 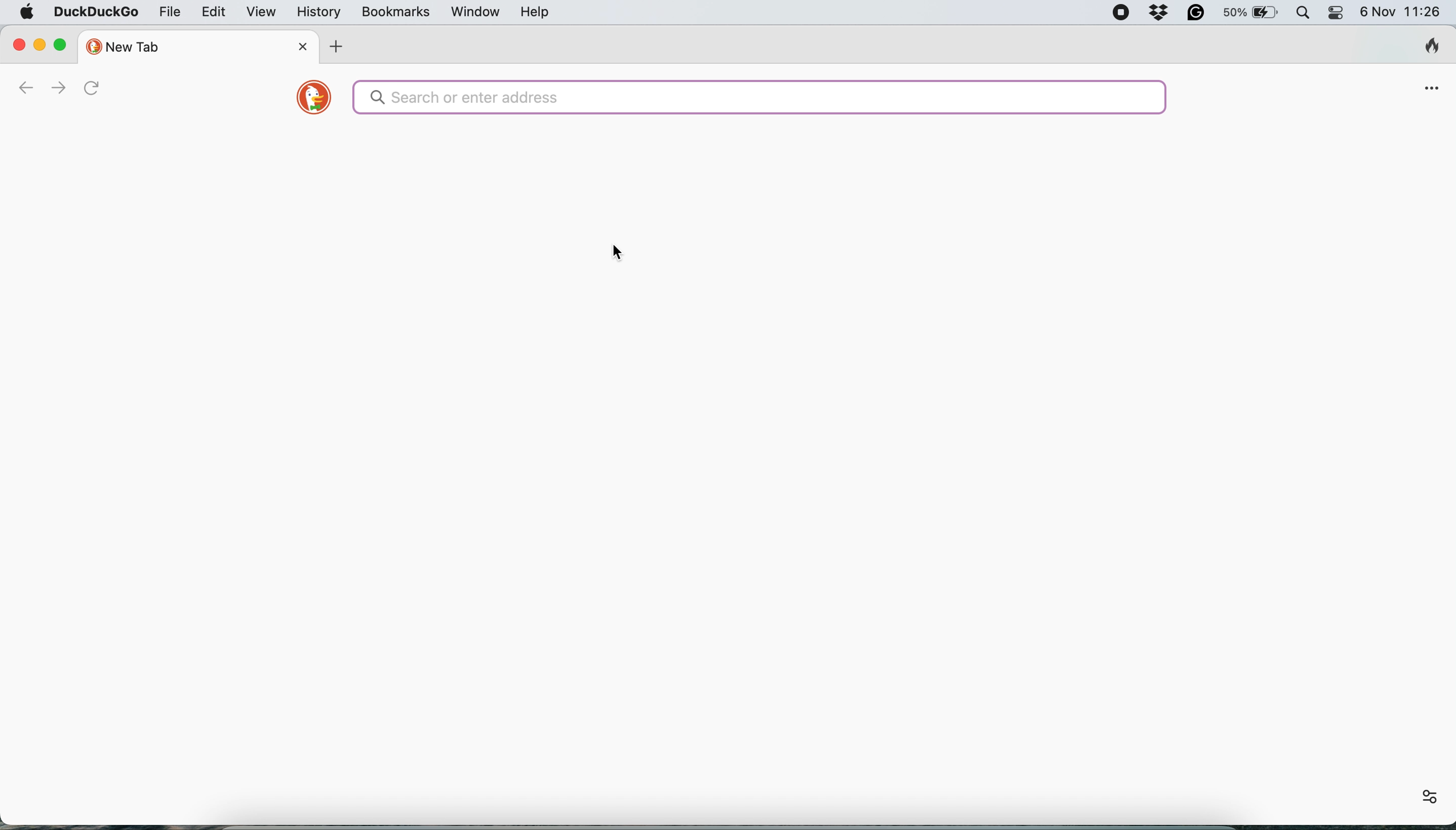 I want to click on cursor, so click(x=615, y=251).